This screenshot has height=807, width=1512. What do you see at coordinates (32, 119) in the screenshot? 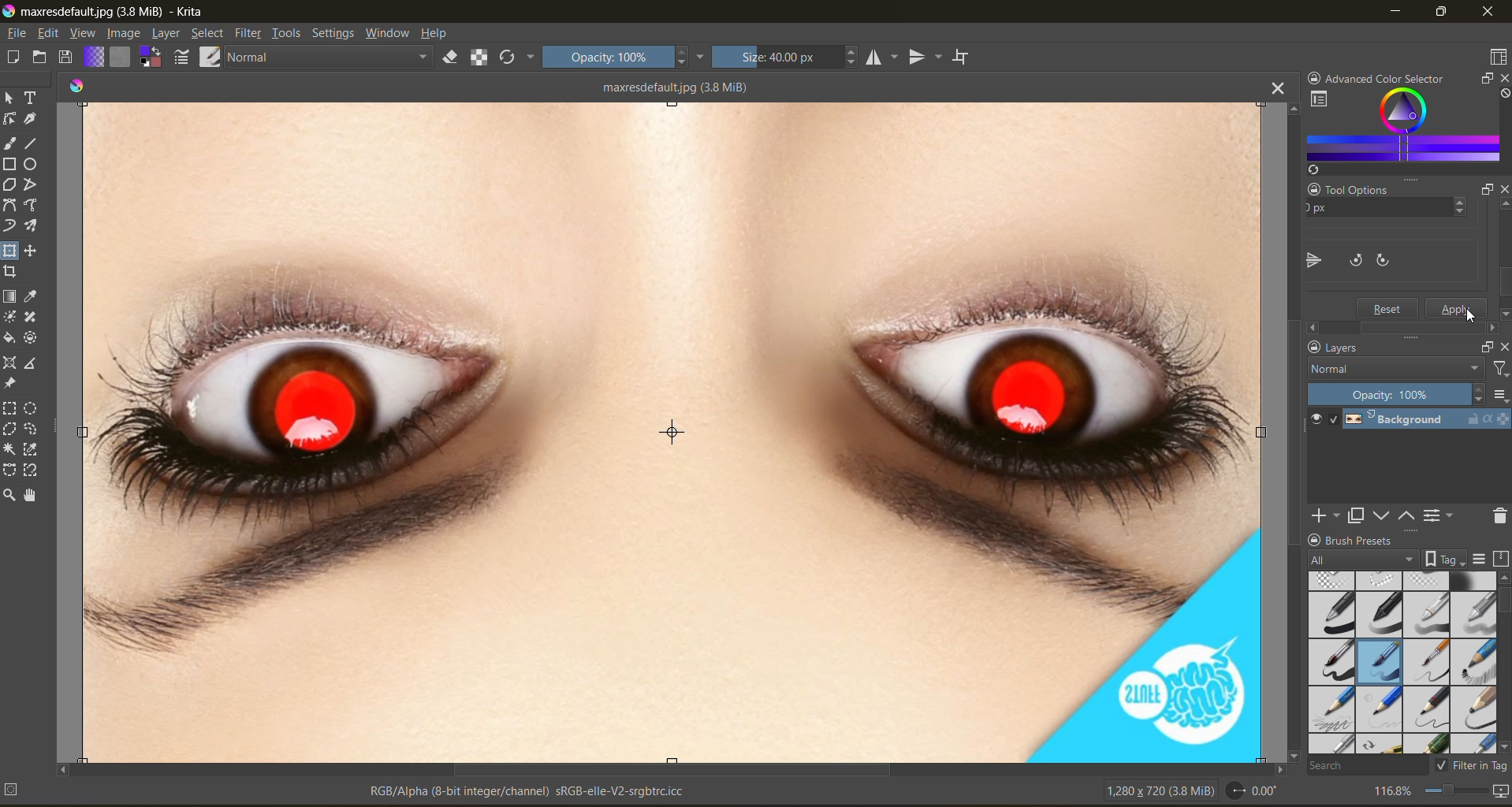
I see `tool` at bounding box center [32, 119].